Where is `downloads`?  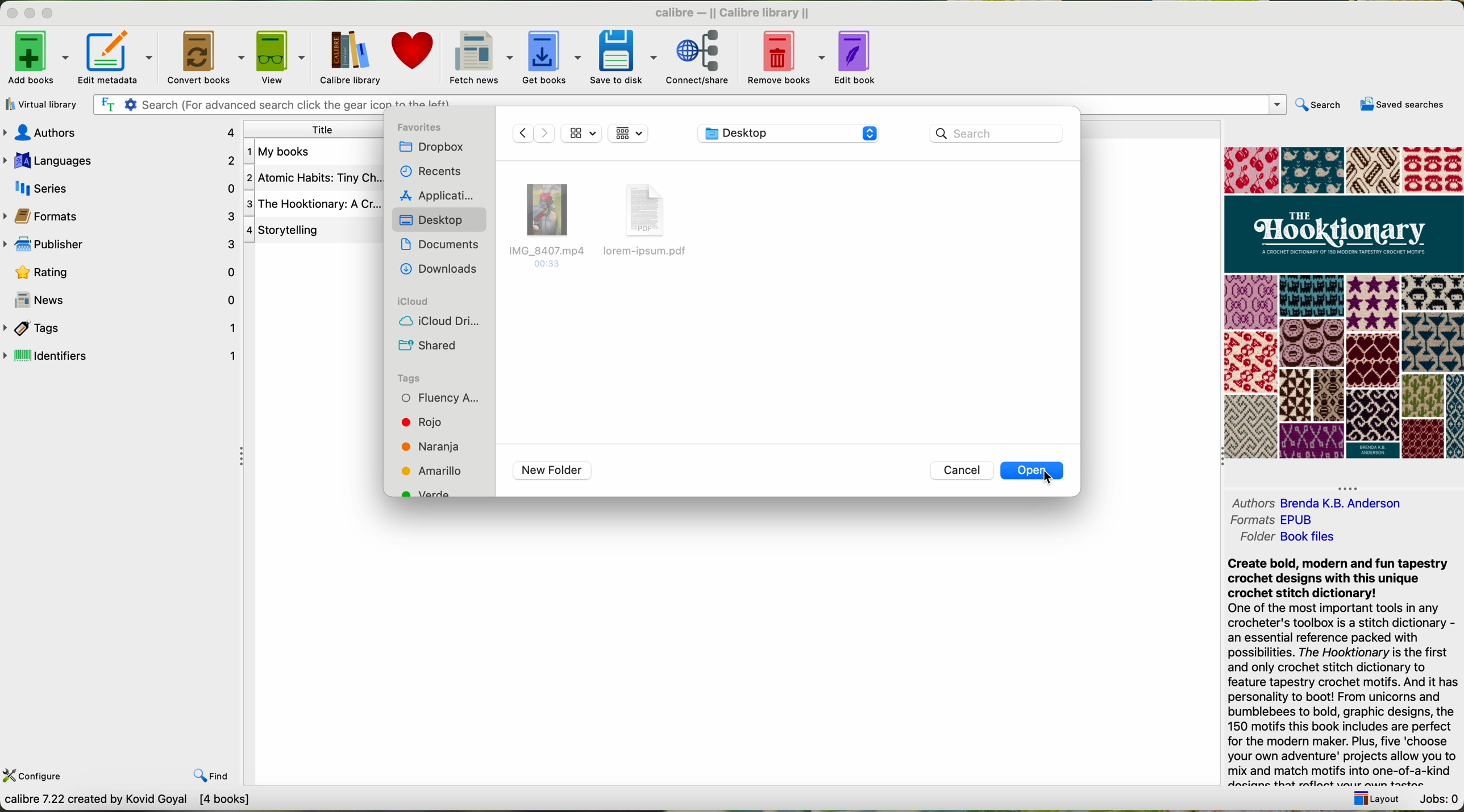
downloads is located at coordinates (438, 269).